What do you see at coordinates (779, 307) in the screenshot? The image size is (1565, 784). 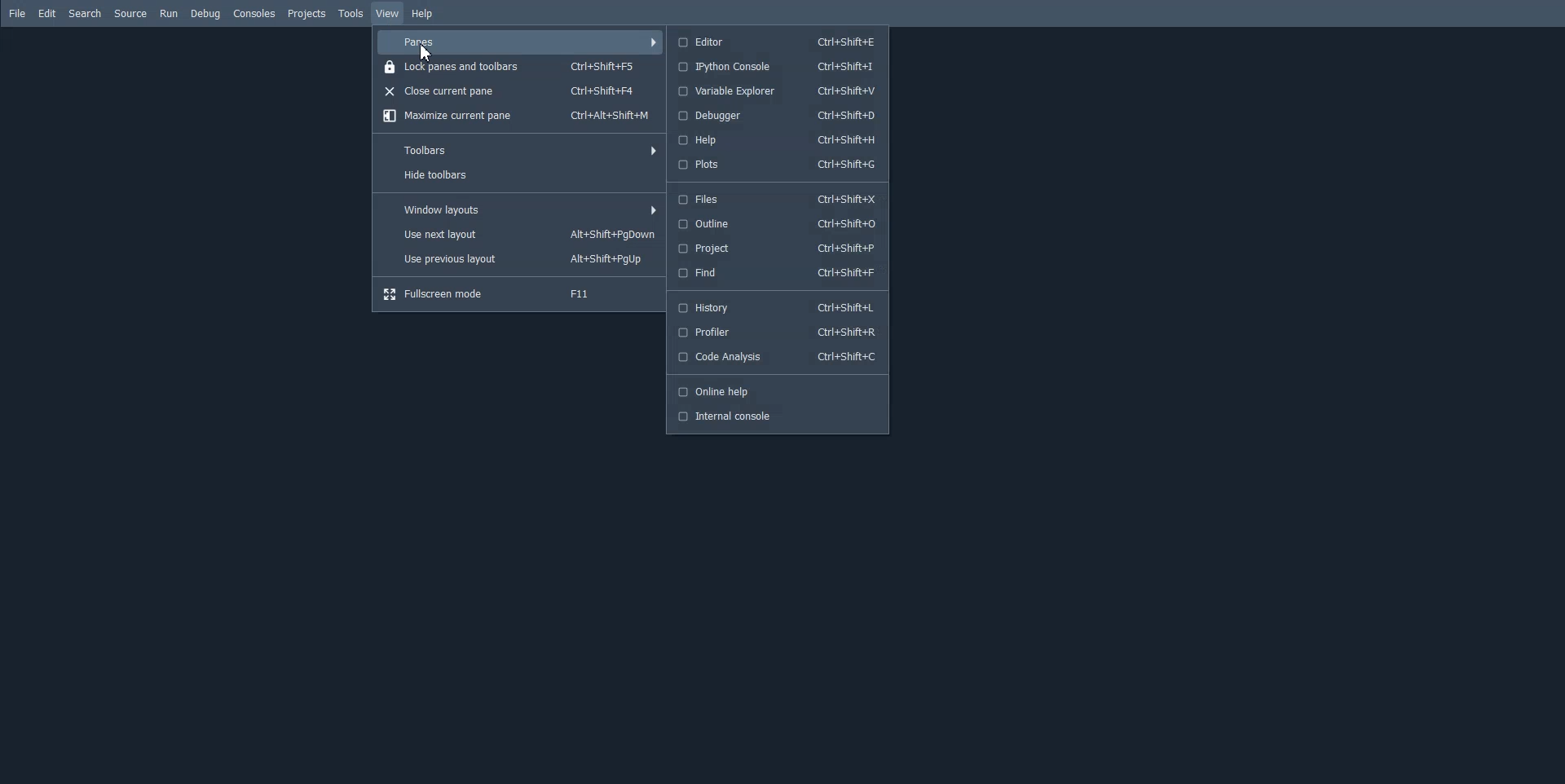 I see `History` at bounding box center [779, 307].